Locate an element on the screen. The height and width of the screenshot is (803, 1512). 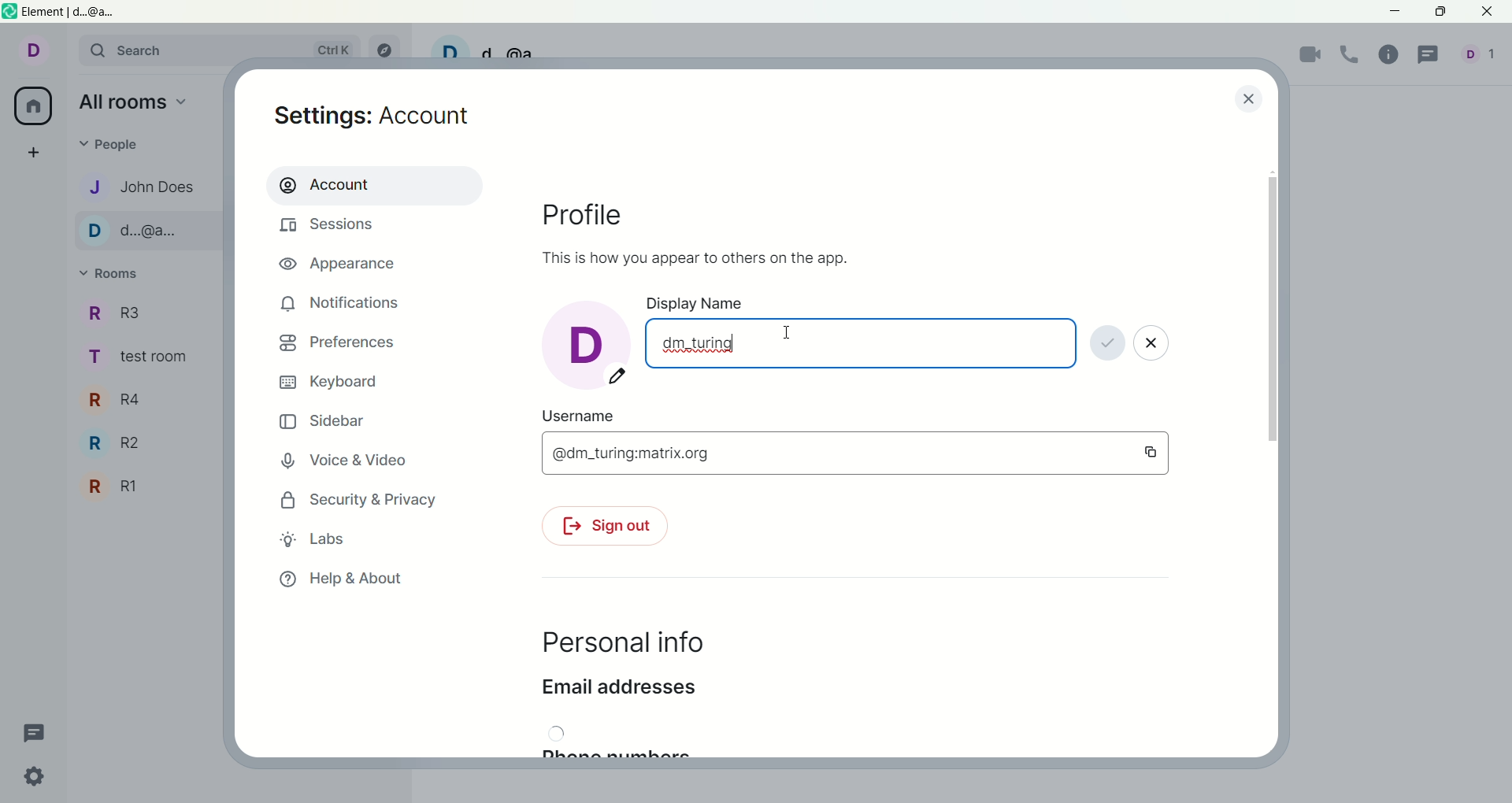
This is how you appear to others on the app. is located at coordinates (700, 259).